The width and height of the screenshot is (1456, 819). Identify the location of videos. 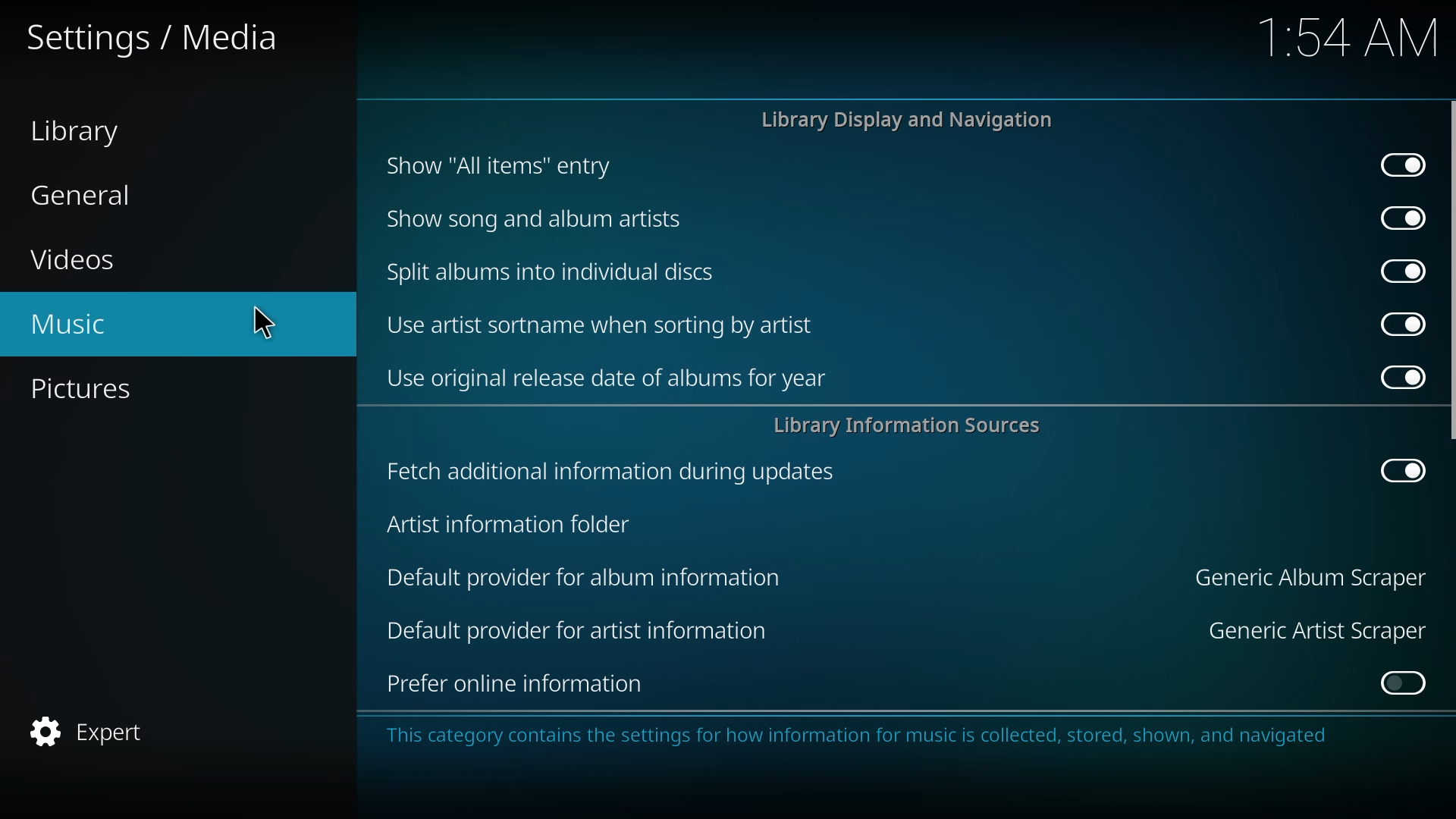
(79, 260).